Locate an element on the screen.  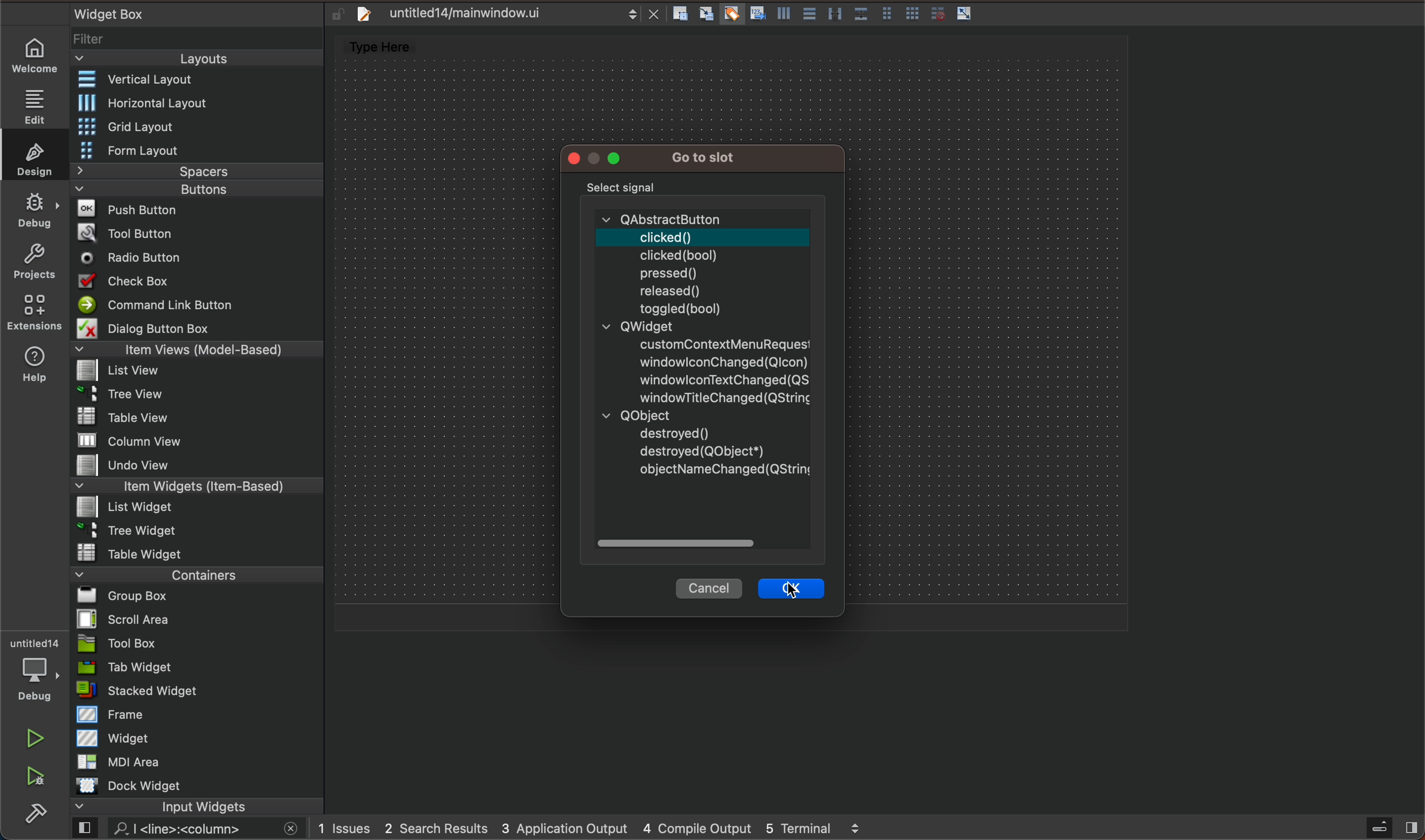
buttons is located at coordinates (194, 191).